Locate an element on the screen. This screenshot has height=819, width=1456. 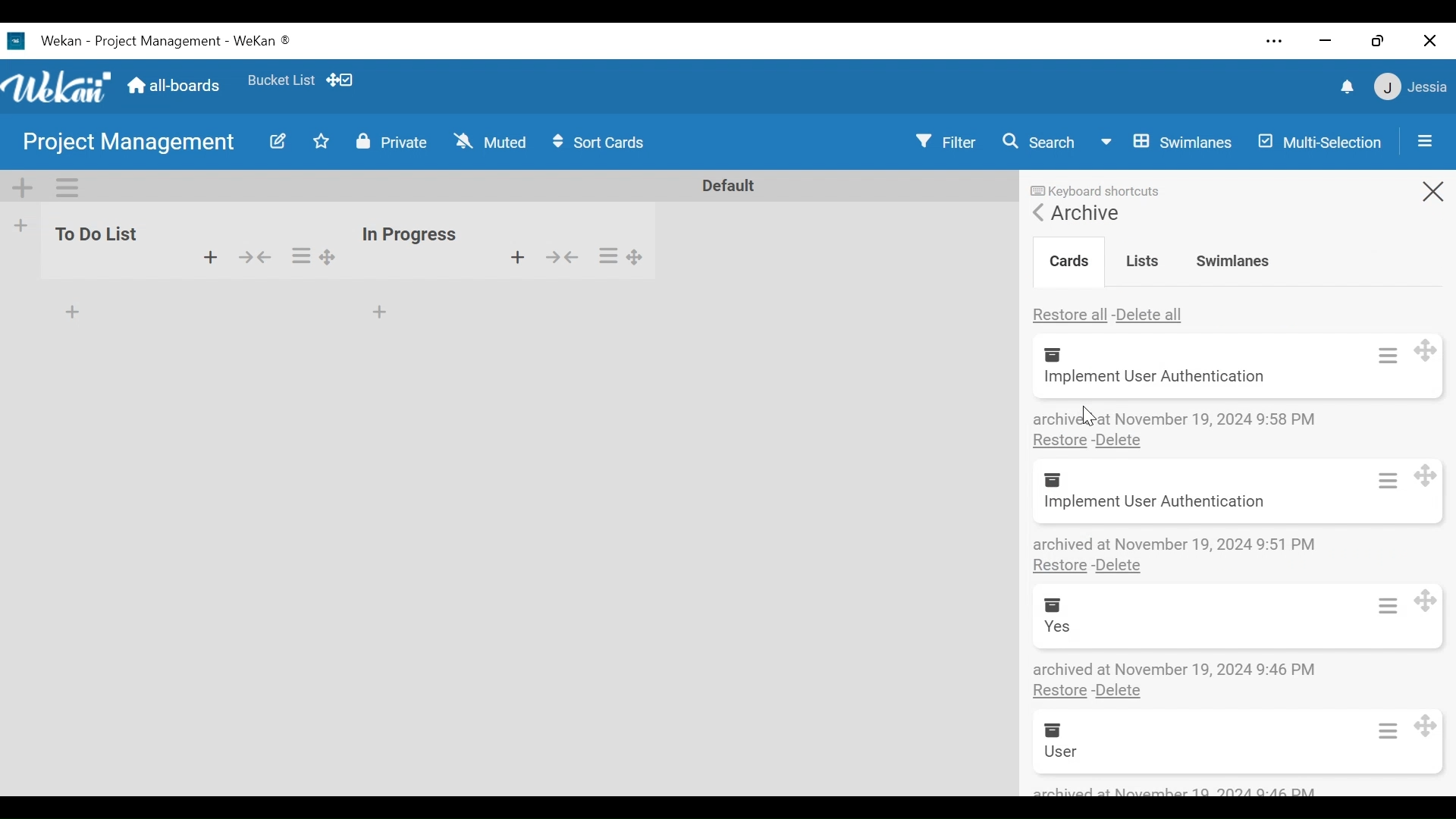
Home (all-boars is located at coordinates (177, 86).